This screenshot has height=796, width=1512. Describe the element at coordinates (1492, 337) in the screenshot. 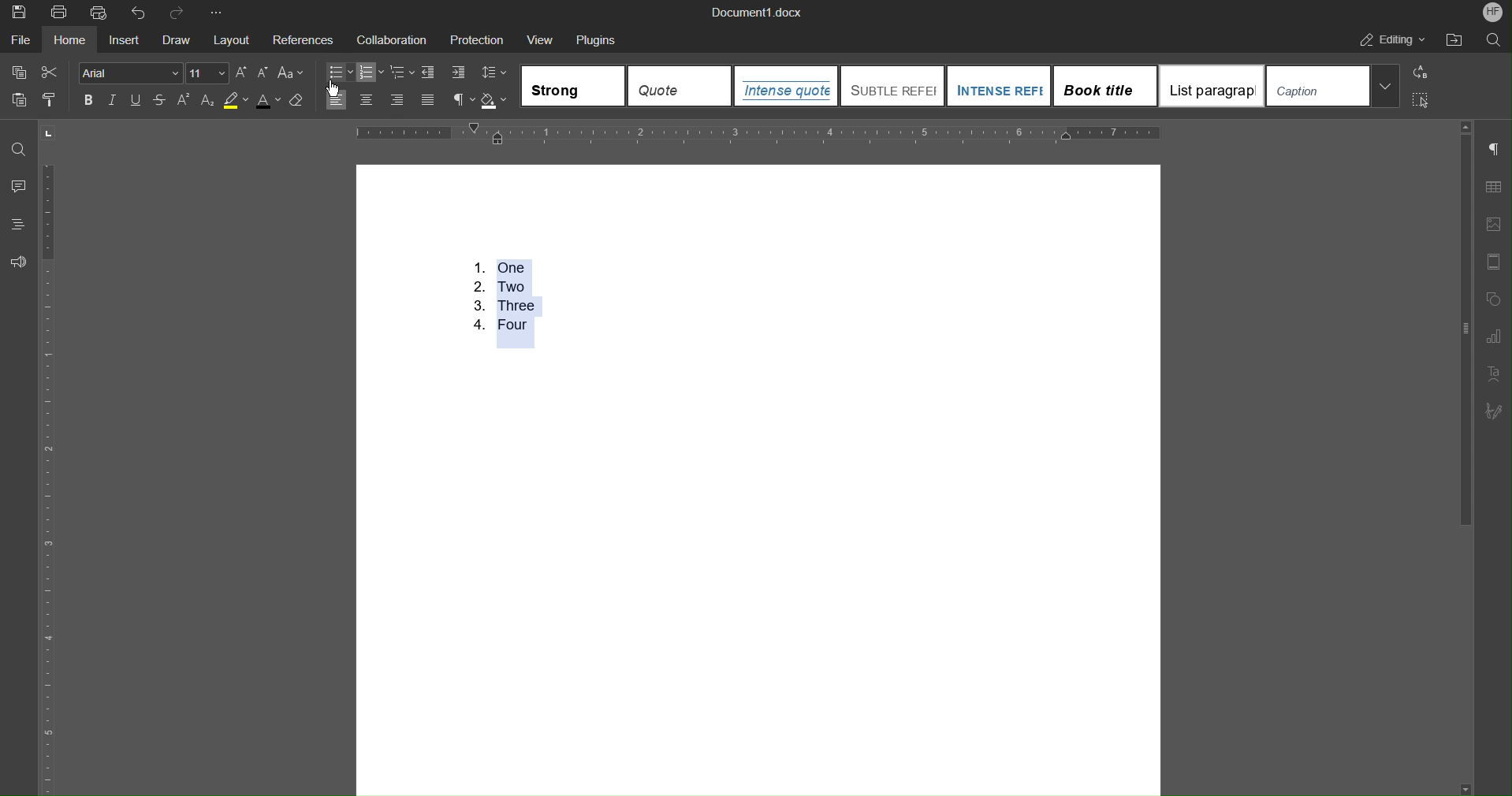

I see `Graph` at that location.